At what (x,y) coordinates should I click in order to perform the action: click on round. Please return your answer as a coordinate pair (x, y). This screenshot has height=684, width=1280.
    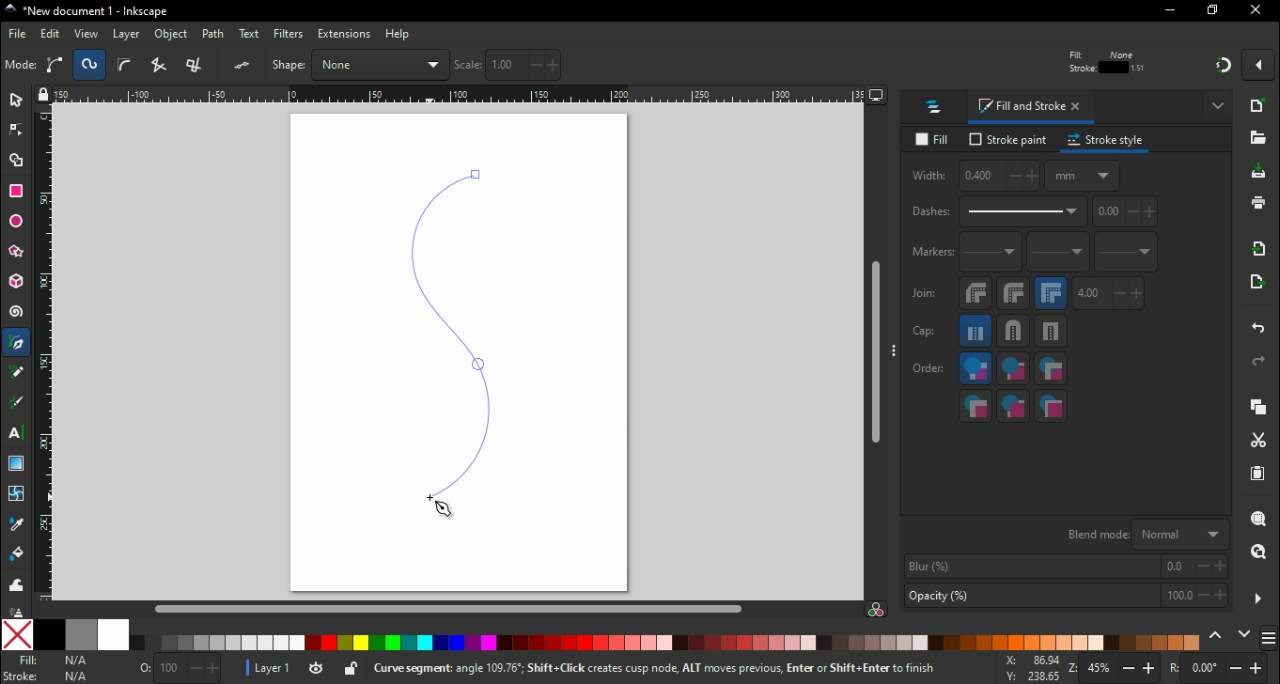
    Looking at the image, I should click on (1014, 297).